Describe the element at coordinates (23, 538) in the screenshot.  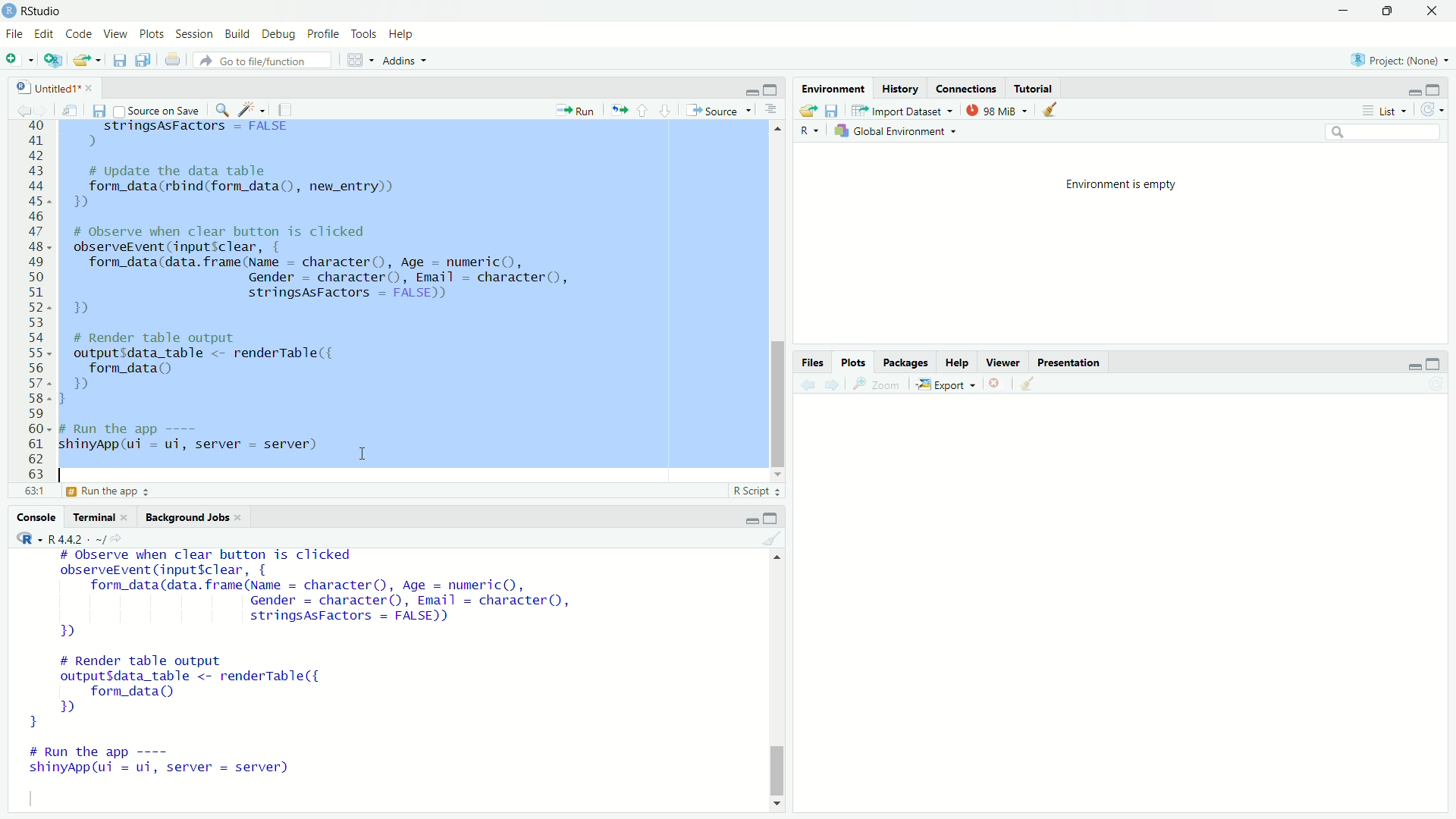
I see `language change` at that location.